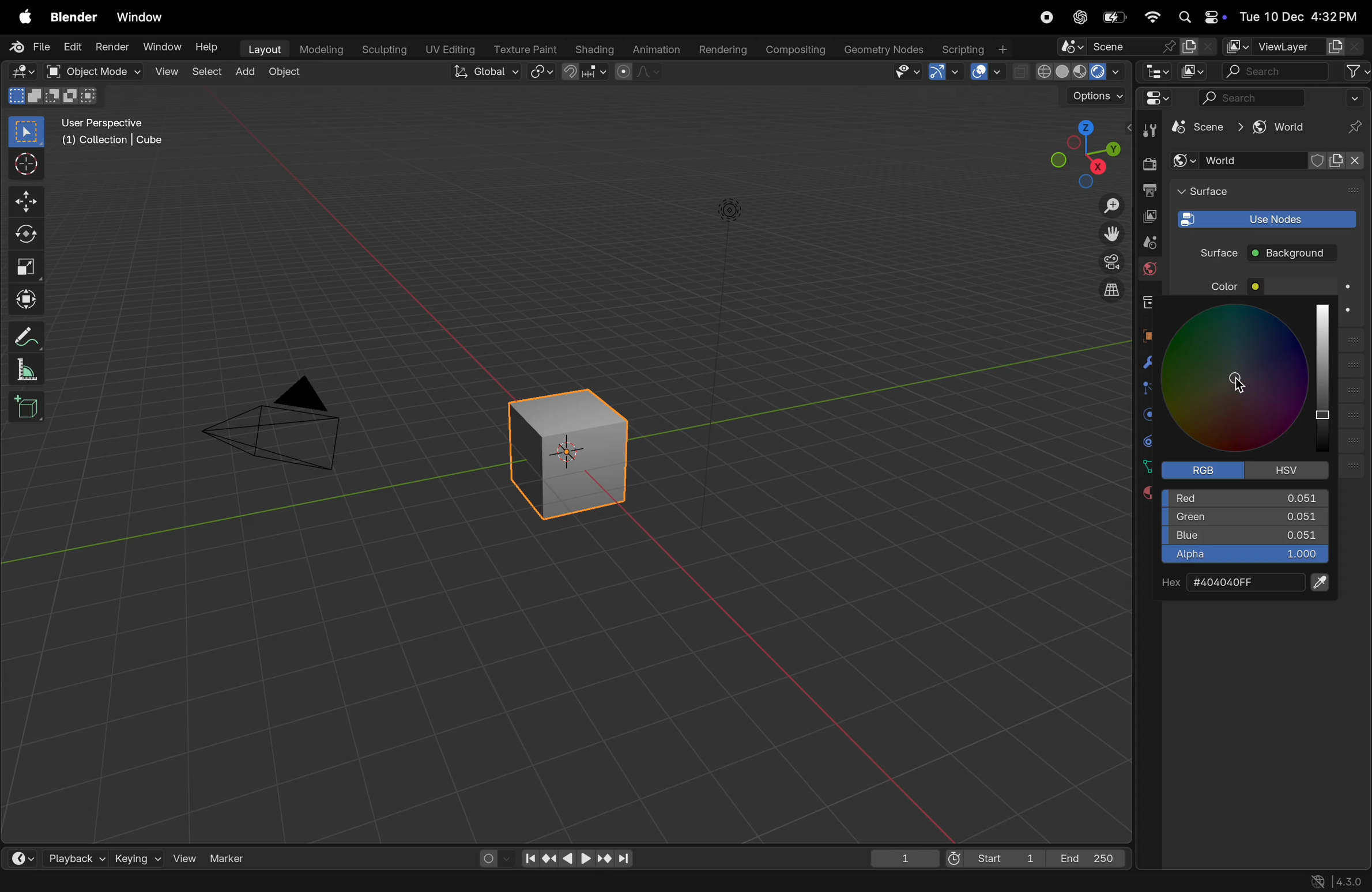 This screenshot has height=892, width=1372. What do you see at coordinates (882, 49) in the screenshot?
I see `Geometry notes` at bounding box center [882, 49].